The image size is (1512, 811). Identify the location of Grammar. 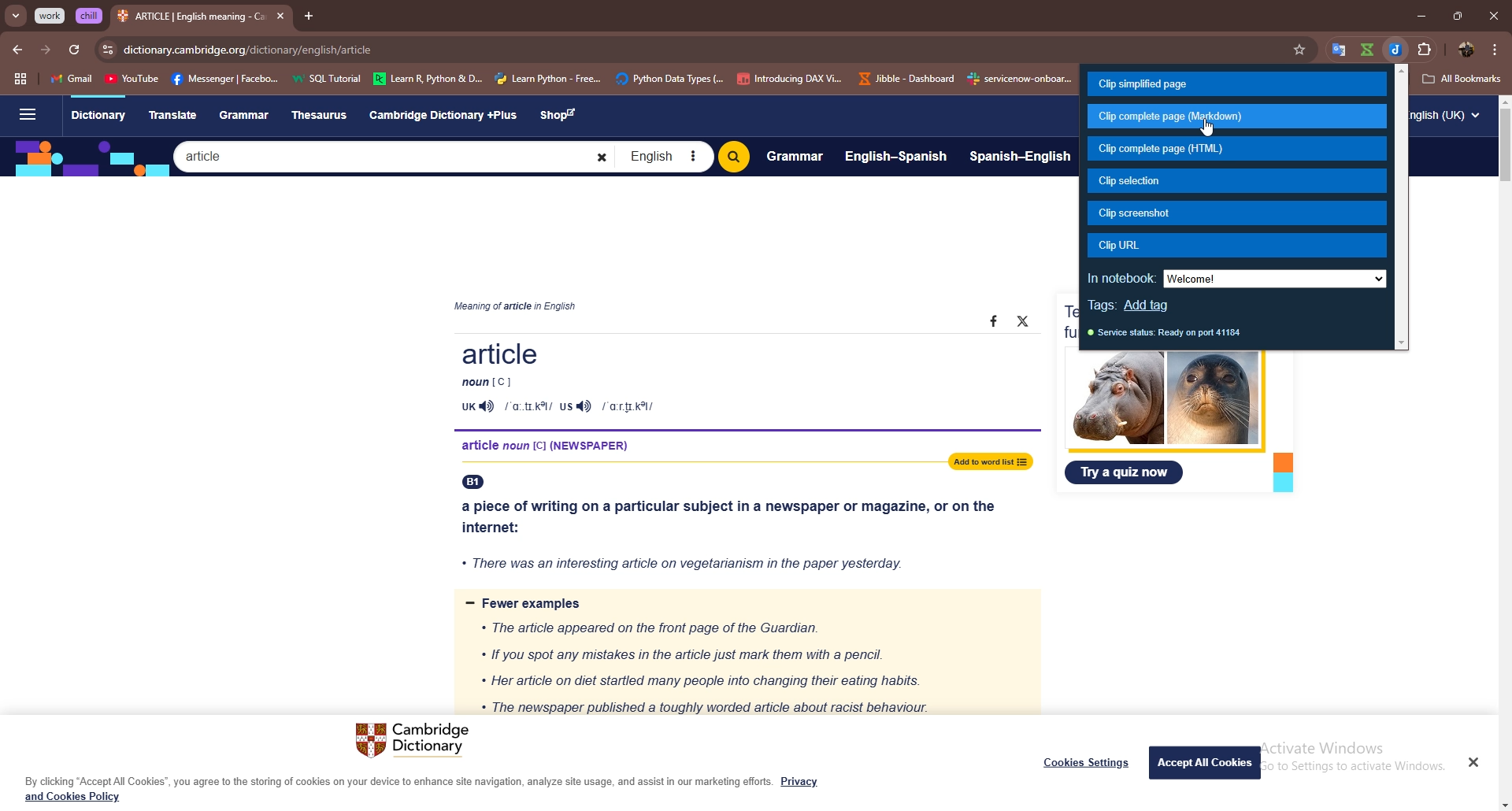
(246, 115).